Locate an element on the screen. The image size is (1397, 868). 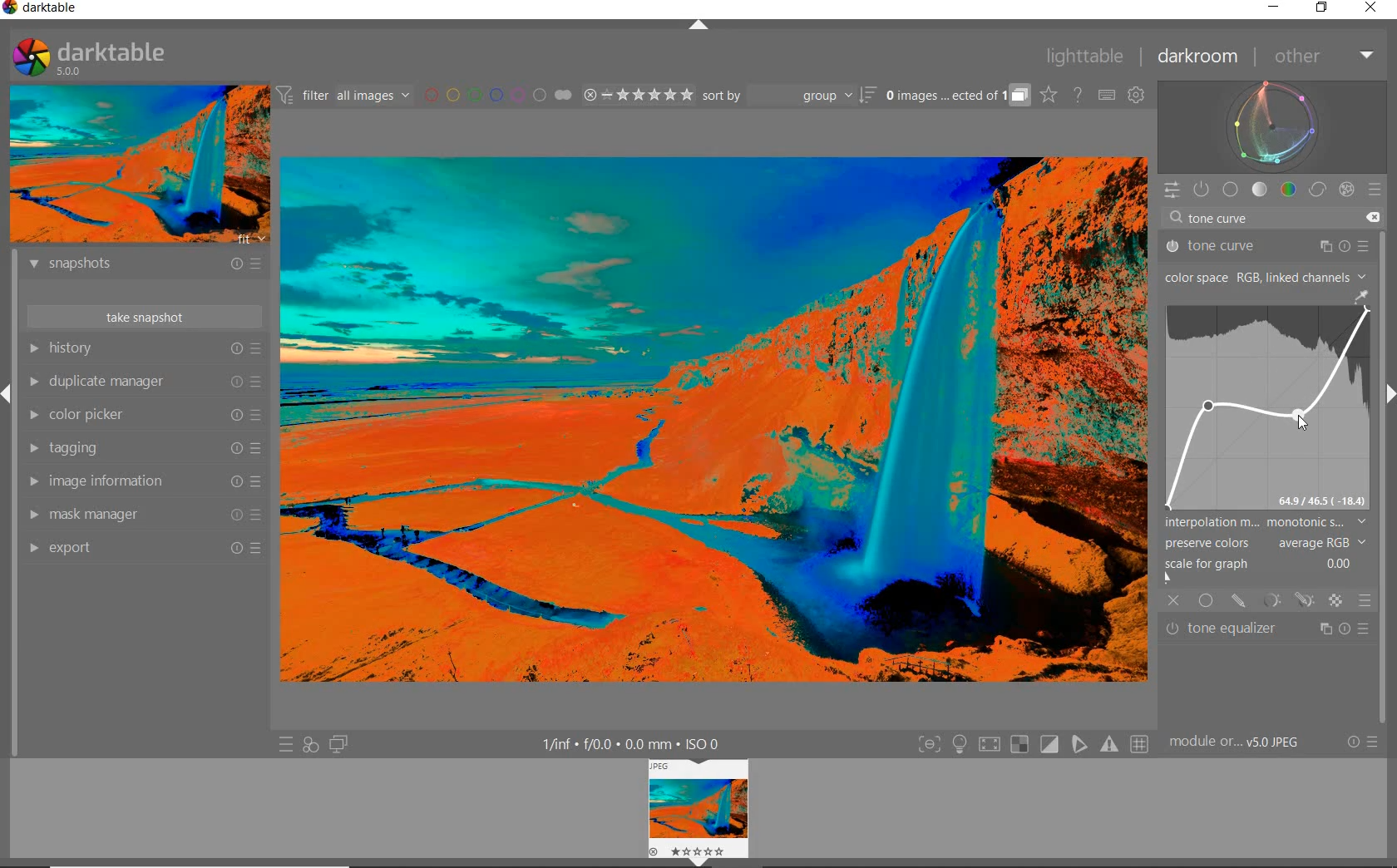
tone curve is located at coordinates (1267, 220).